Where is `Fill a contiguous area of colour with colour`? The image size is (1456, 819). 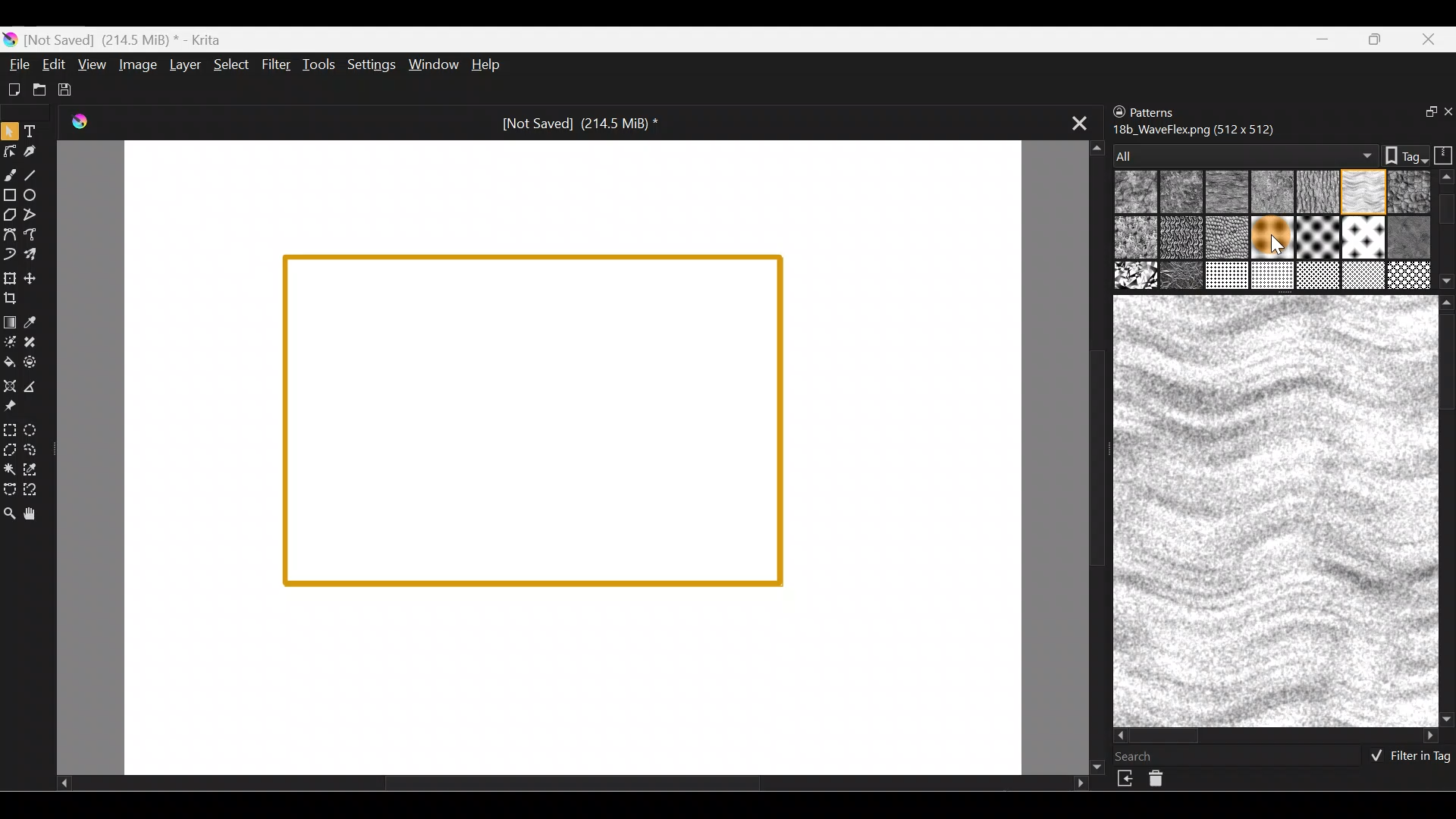
Fill a contiguous area of colour with colour is located at coordinates (10, 362).